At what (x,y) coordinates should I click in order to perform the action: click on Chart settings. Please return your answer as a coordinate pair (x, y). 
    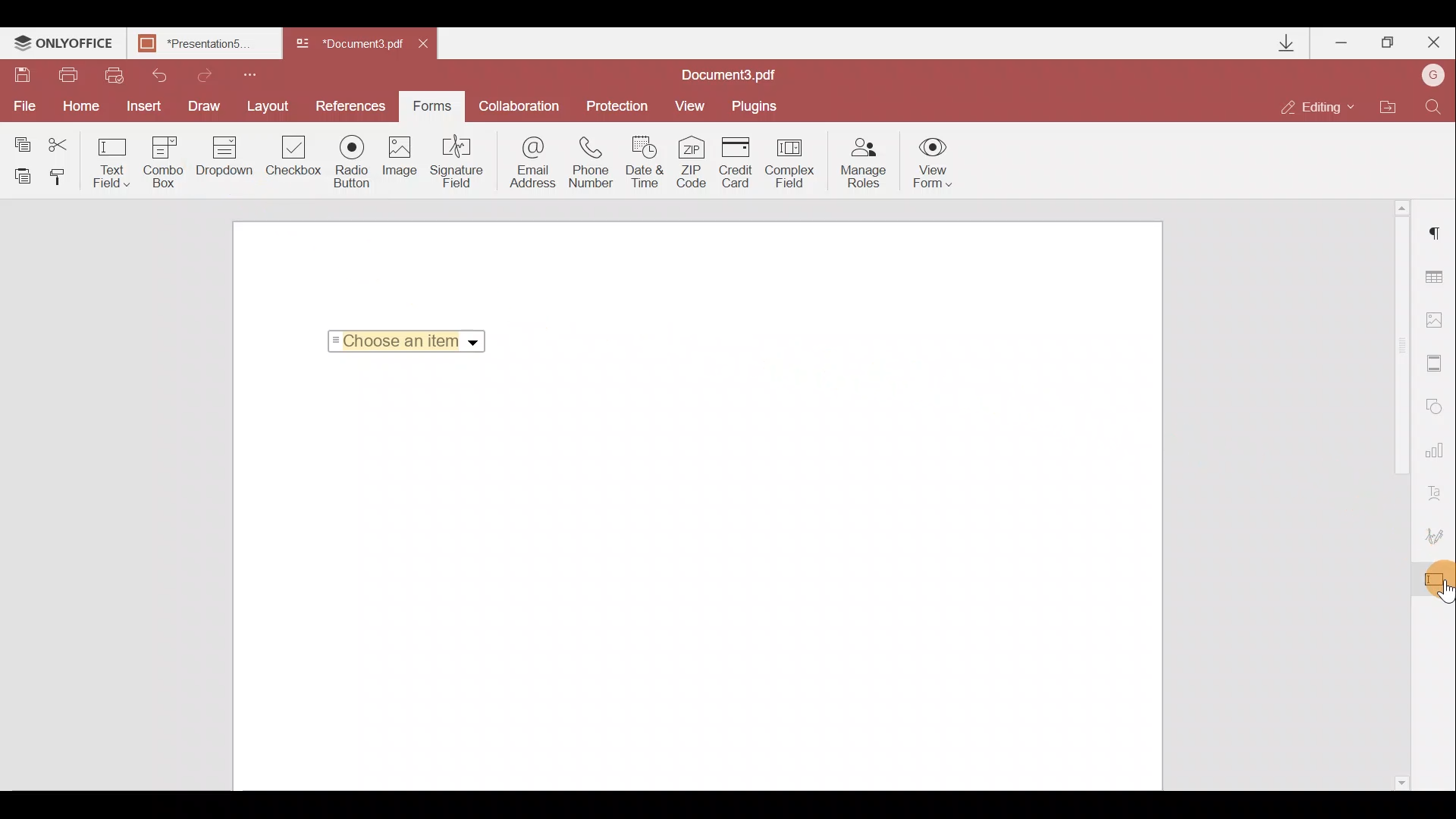
    Looking at the image, I should click on (1438, 450).